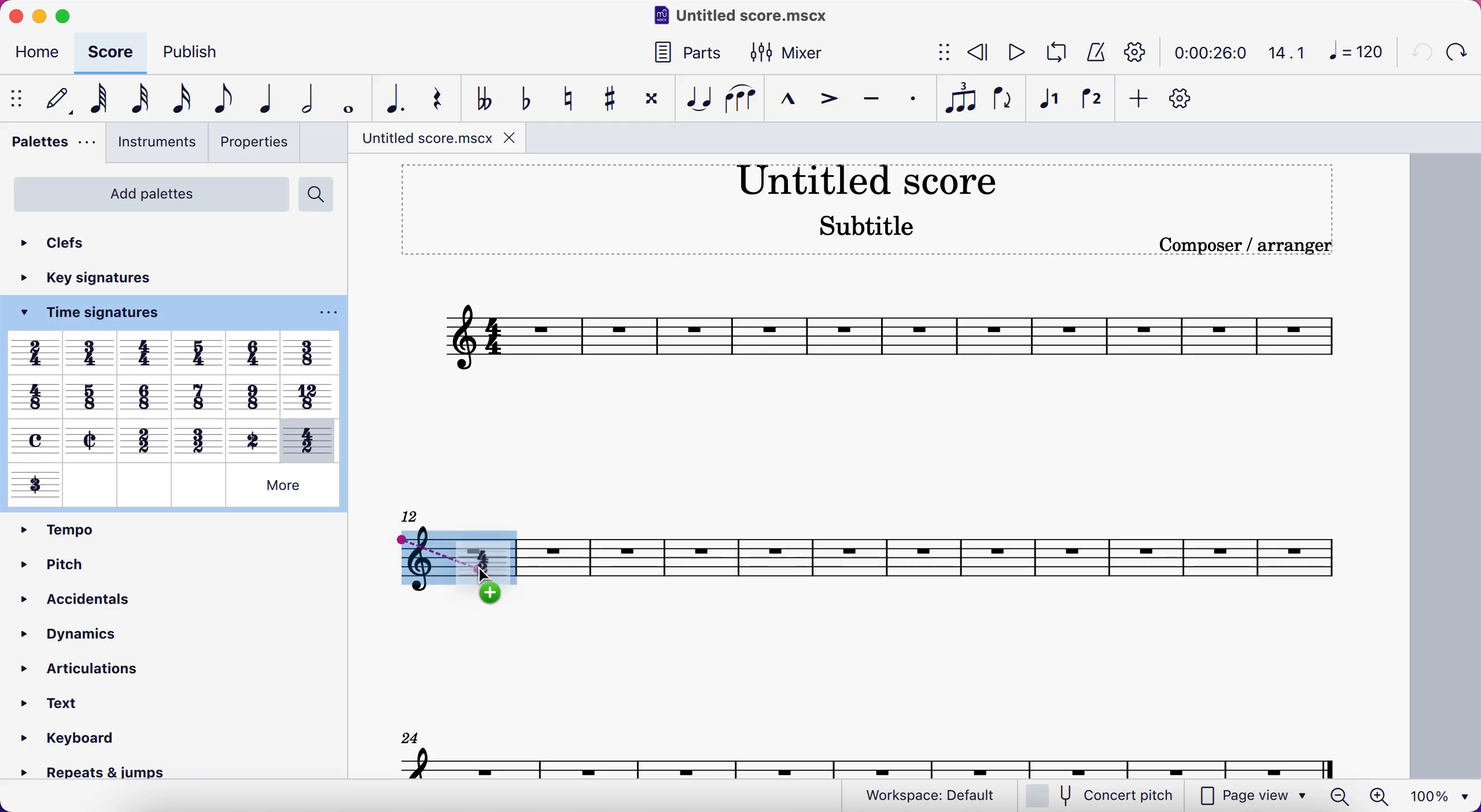  What do you see at coordinates (1353, 52) in the screenshot?
I see `120` at bounding box center [1353, 52].